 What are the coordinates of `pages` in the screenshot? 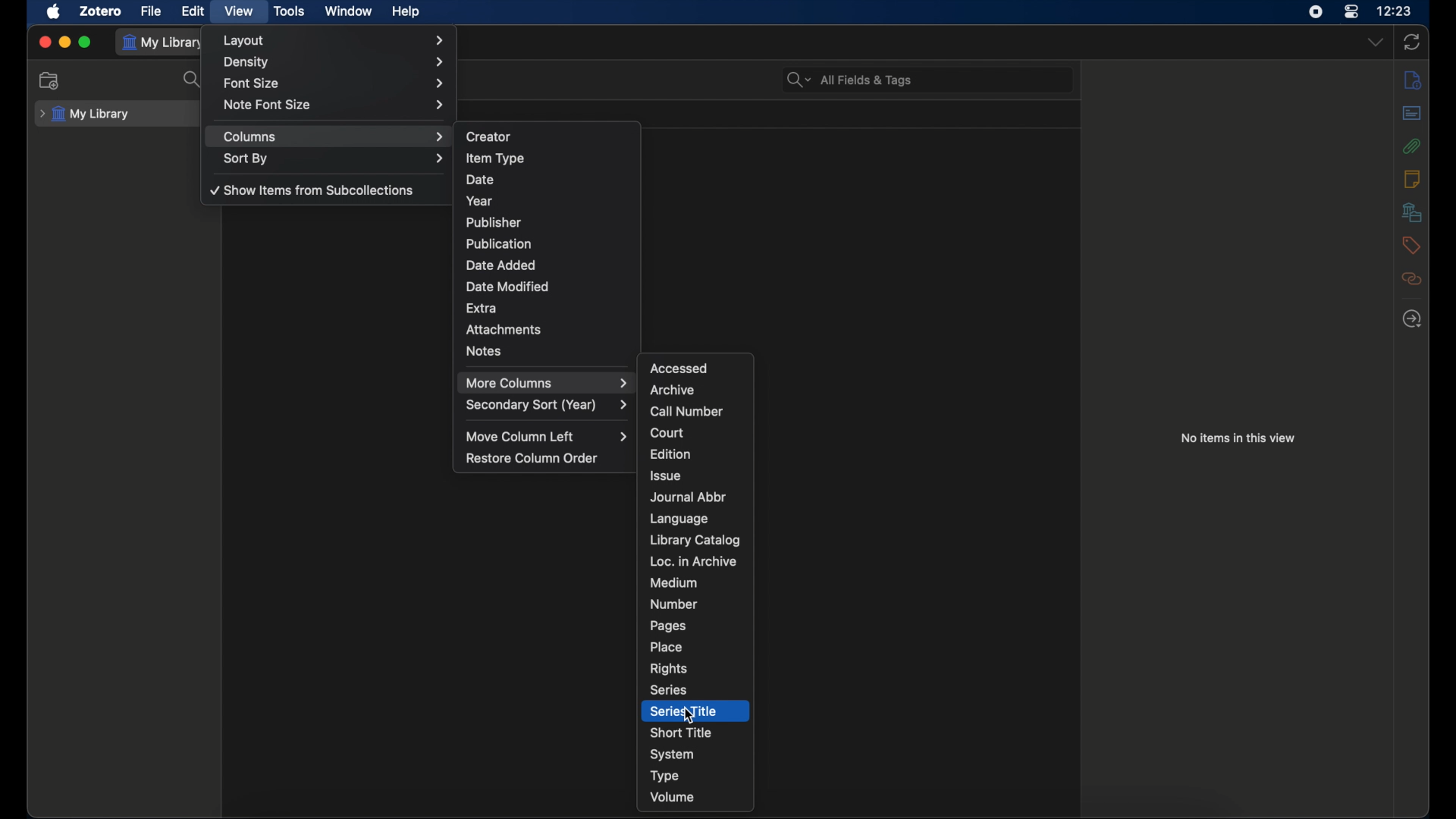 It's located at (667, 626).